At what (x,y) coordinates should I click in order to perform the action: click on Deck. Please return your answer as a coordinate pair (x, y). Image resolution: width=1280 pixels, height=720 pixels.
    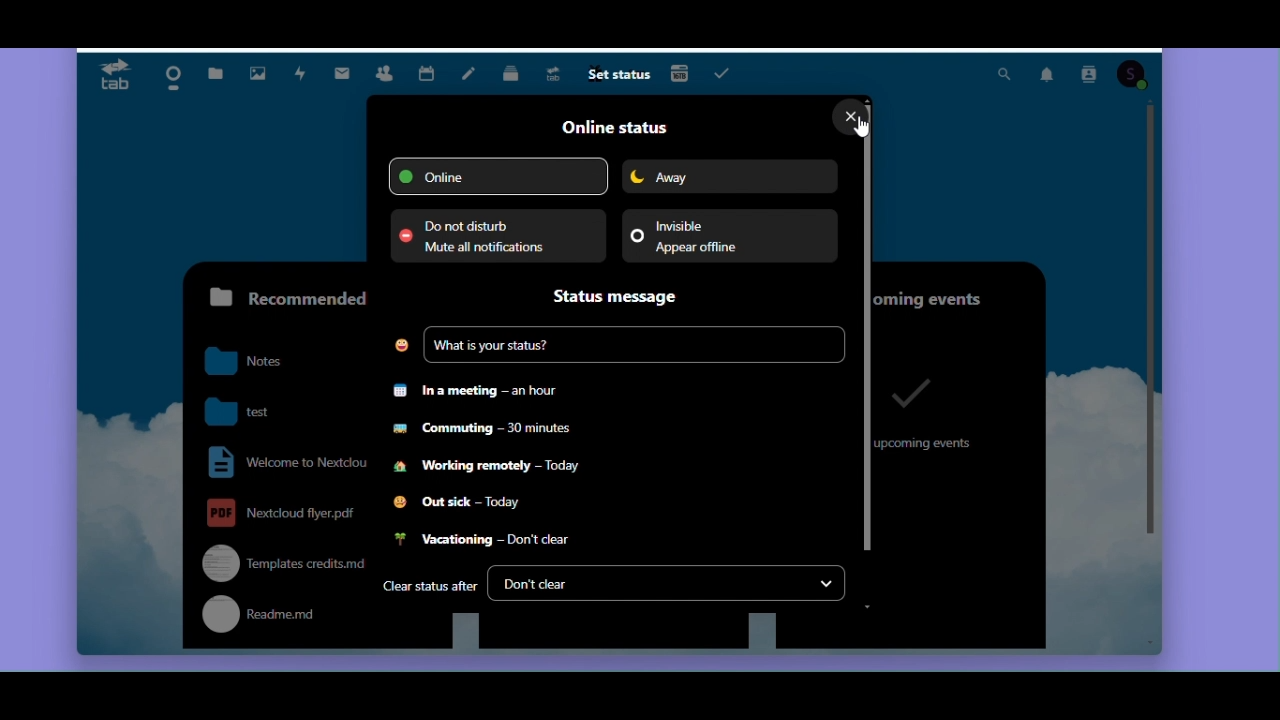
    Looking at the image, I should click on (513, 76).